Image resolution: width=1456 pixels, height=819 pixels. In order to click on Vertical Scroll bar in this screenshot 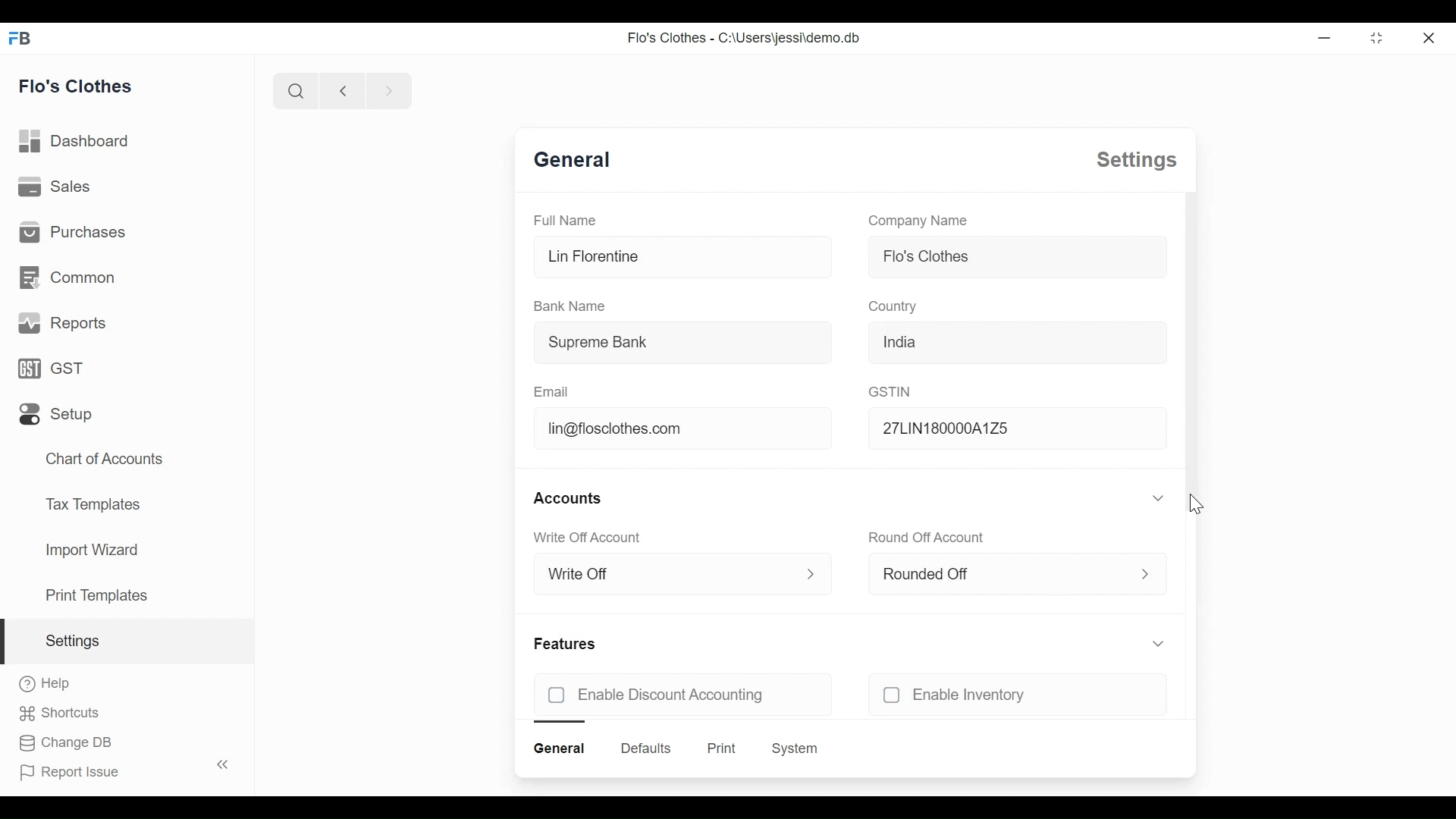, I will do `click(1197, 348)`.